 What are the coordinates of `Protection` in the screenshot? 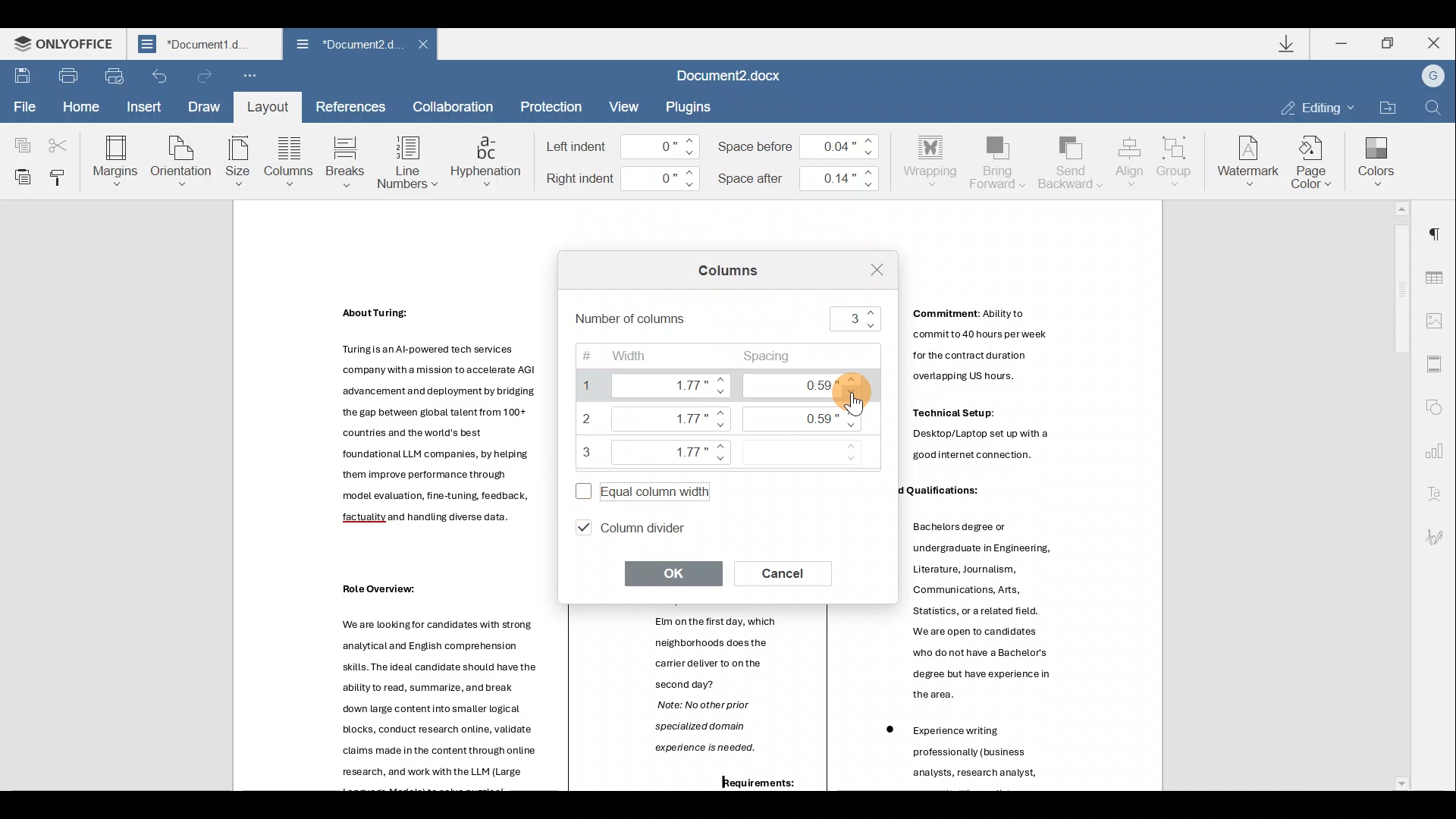 It's located at (550, 106).